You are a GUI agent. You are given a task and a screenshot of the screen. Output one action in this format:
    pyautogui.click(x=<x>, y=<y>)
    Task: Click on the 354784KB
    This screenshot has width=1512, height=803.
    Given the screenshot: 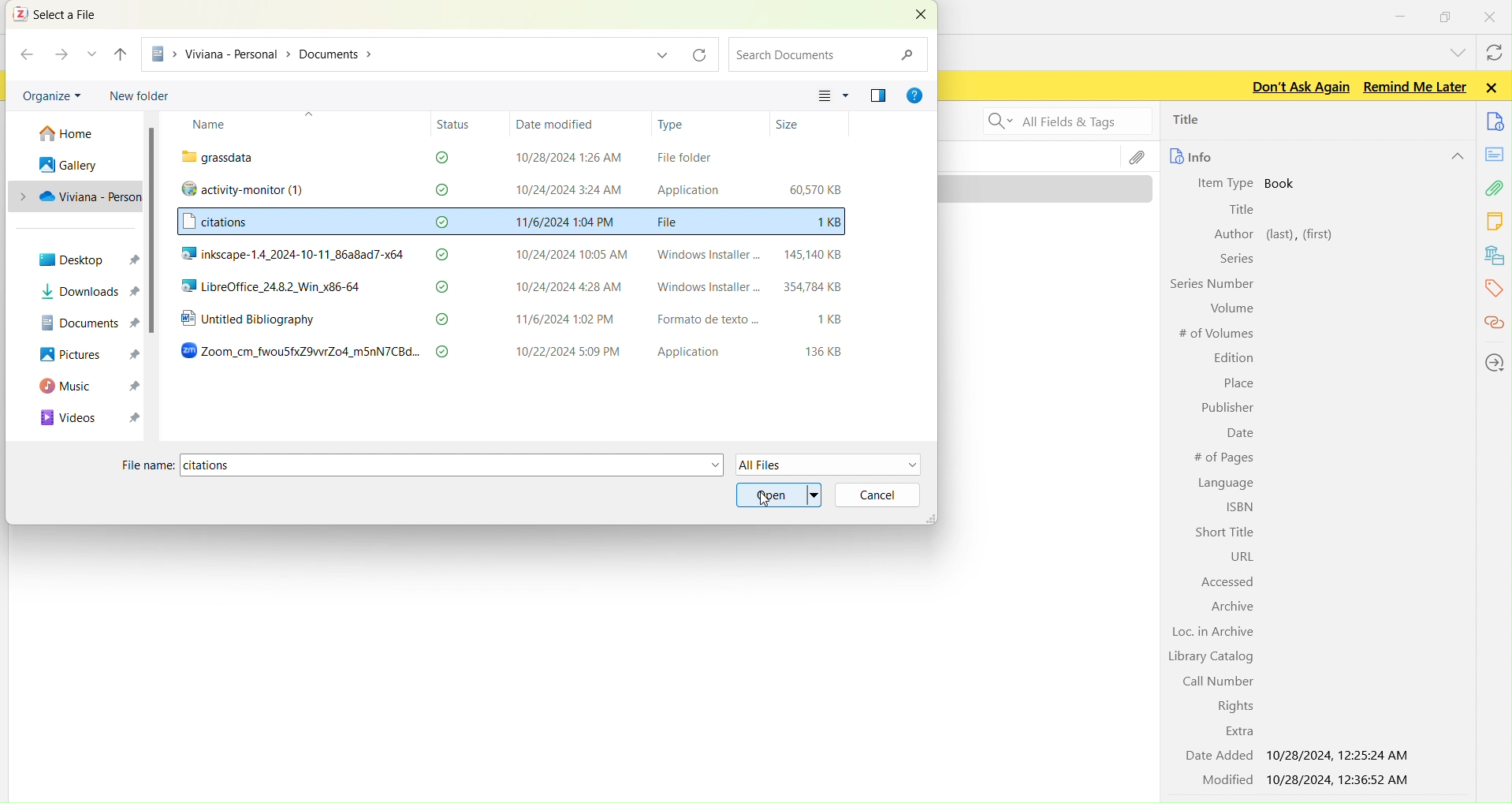 What is the action you would take?
    pyautogui.click(x=817, y=287)
    